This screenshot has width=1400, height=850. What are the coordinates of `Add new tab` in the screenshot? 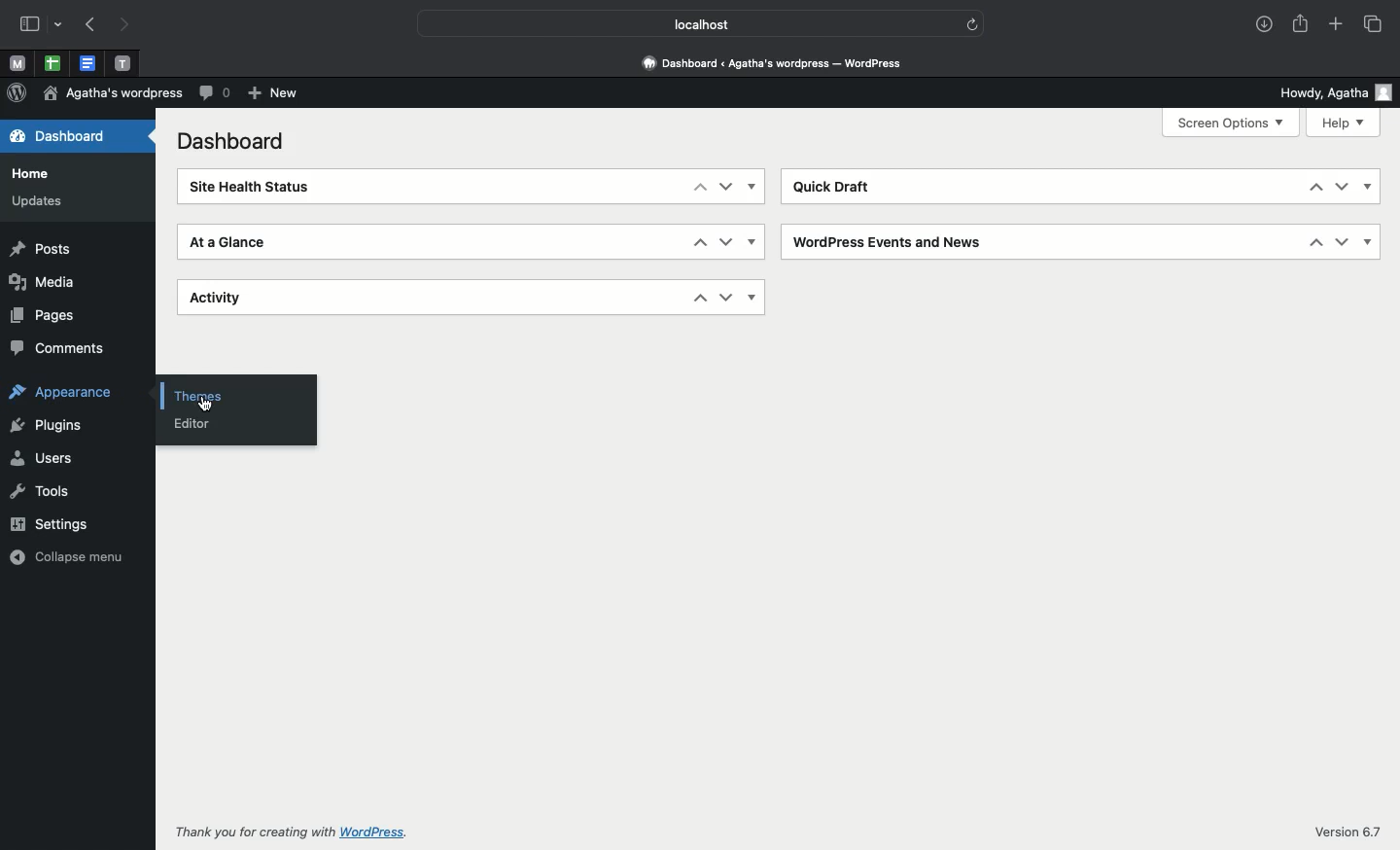 It's located at (1338, 26).